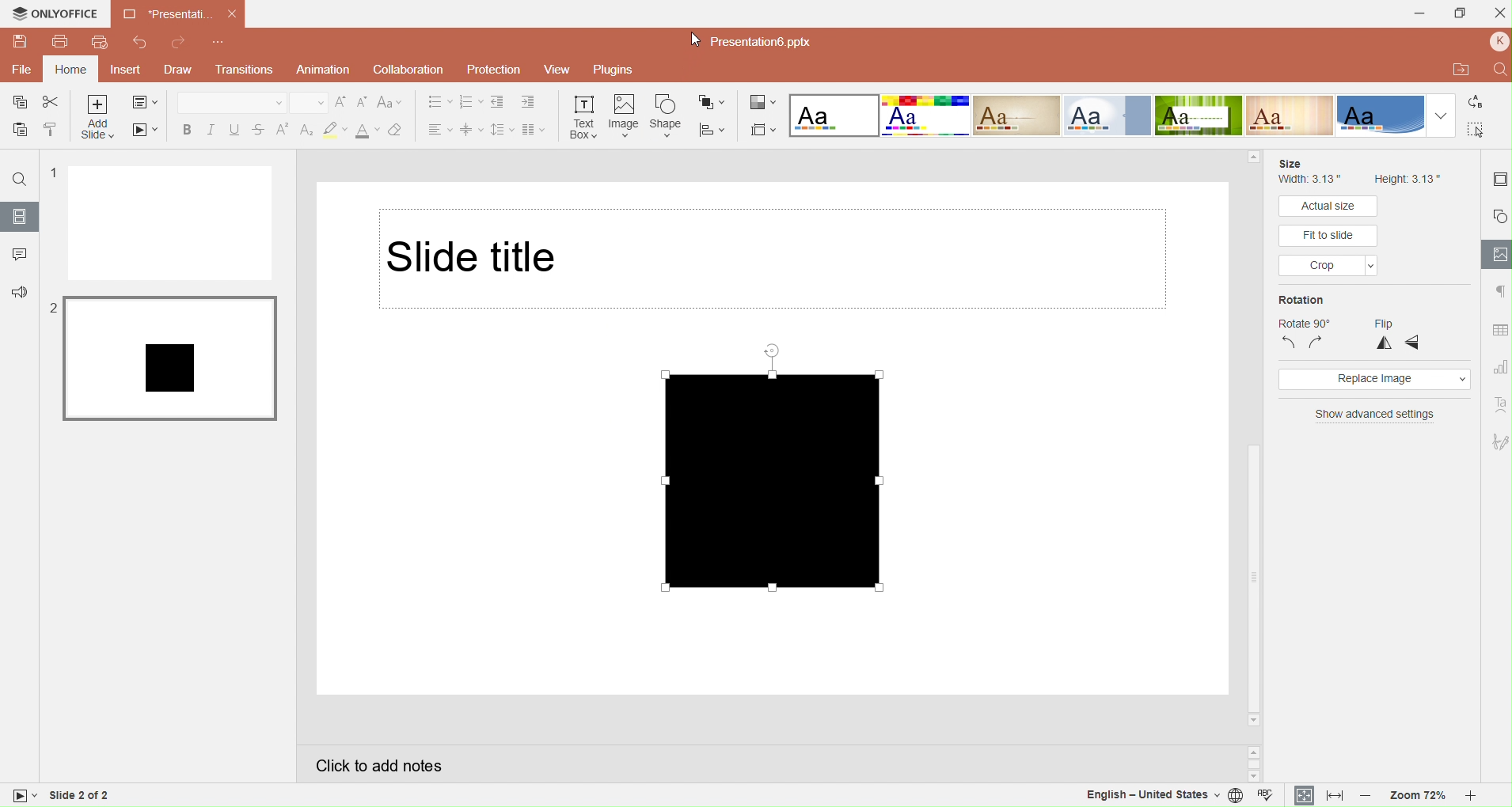  I want to click on Bullets, so click(438, 102).